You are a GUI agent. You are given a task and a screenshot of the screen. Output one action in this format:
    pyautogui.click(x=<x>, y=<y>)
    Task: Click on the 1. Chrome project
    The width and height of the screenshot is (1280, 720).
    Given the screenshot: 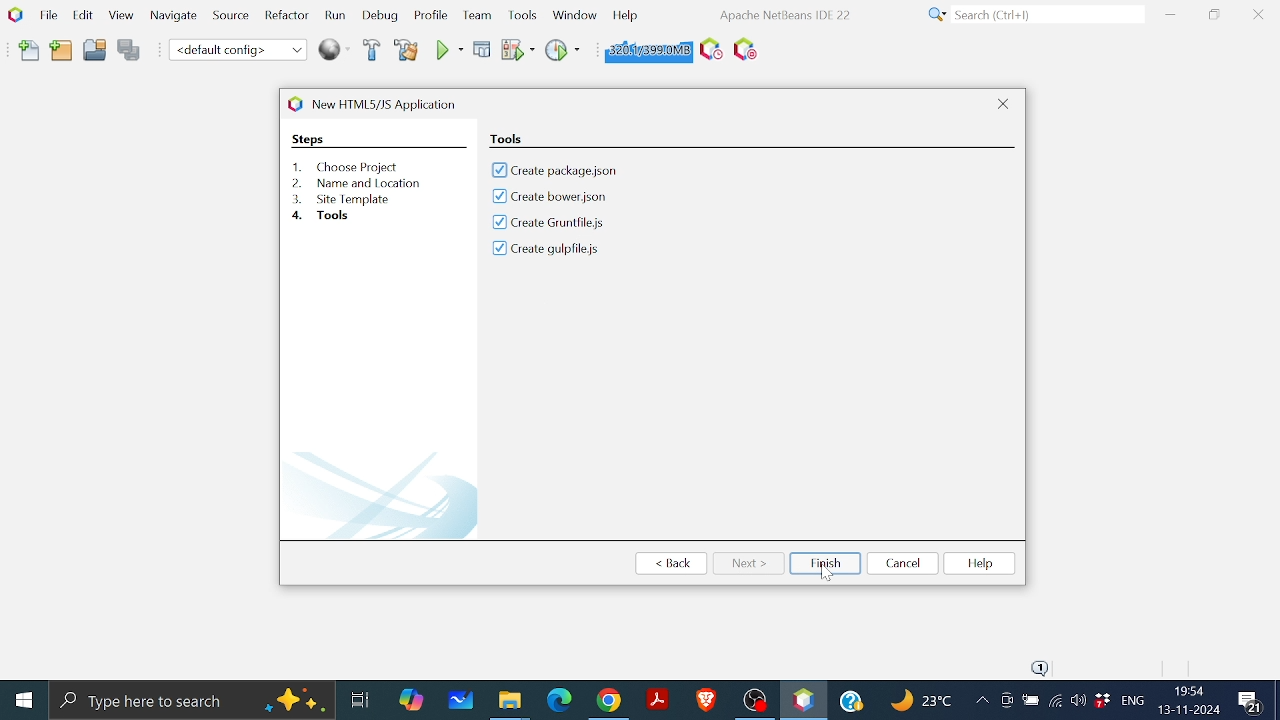 What is the action you would take?
    pyautogui.click(x=348, y=167)
    